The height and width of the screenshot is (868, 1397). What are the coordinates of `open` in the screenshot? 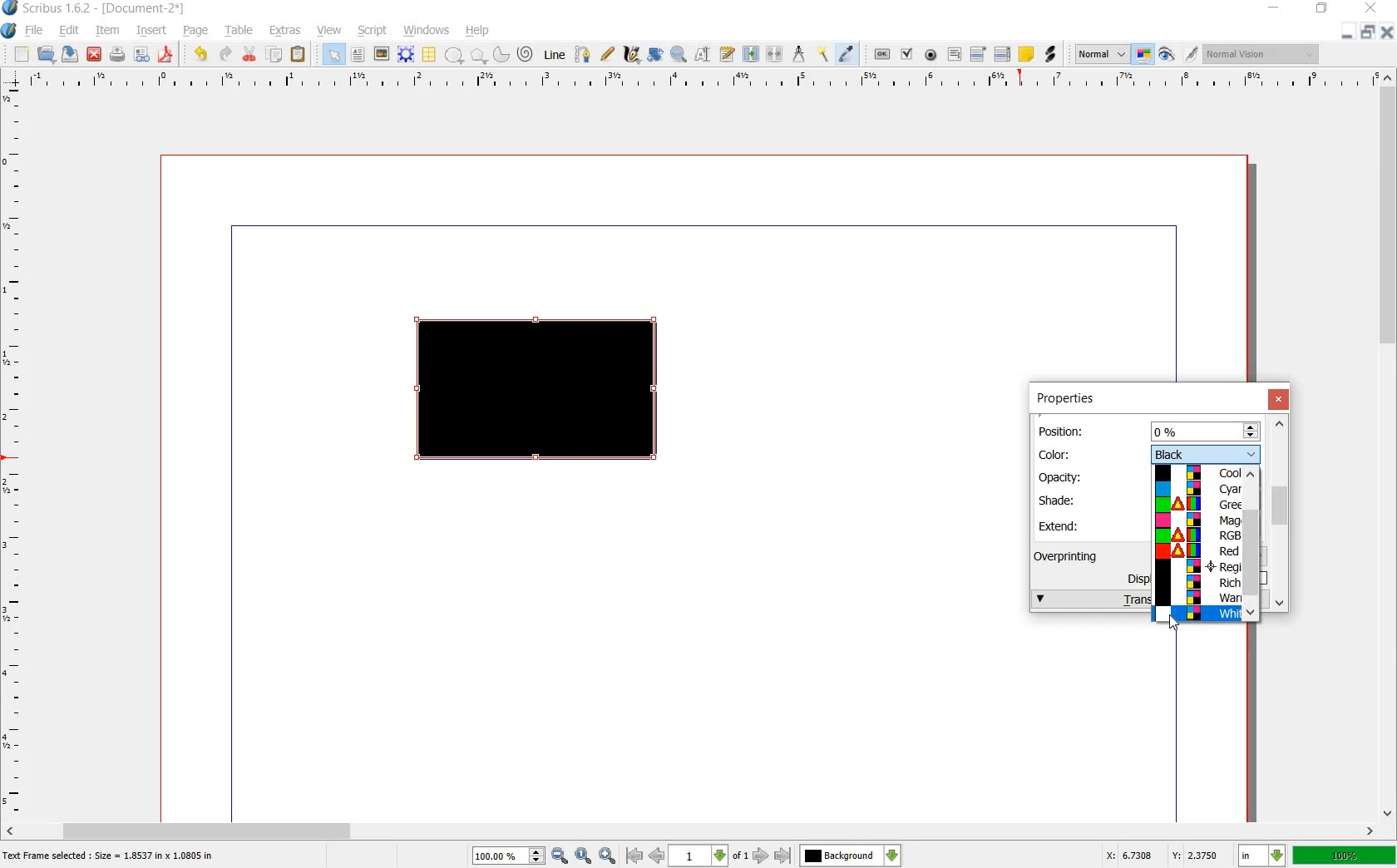 It's located at (48, 55).